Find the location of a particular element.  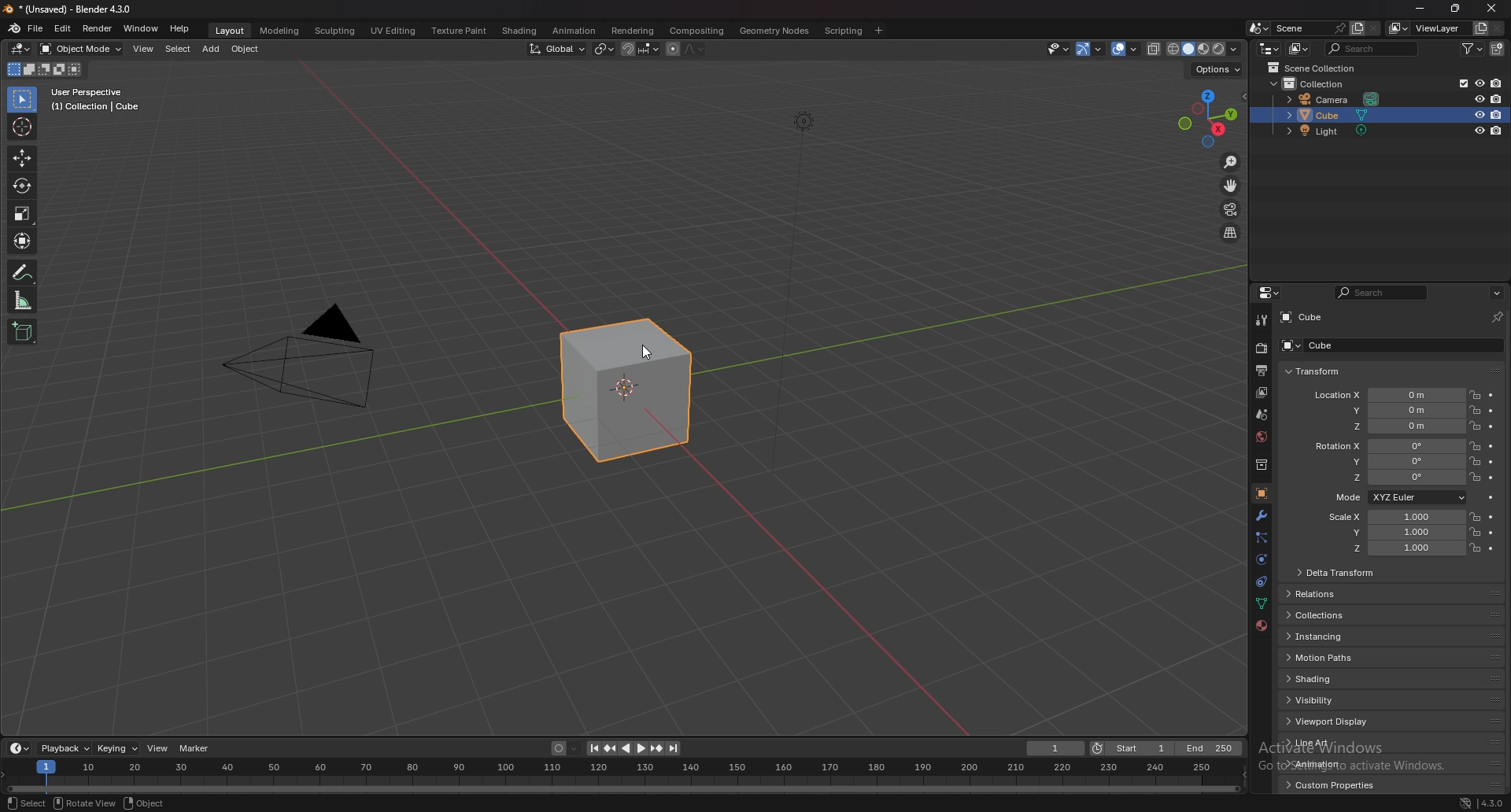

play animation is located at coordinates (634, 749).